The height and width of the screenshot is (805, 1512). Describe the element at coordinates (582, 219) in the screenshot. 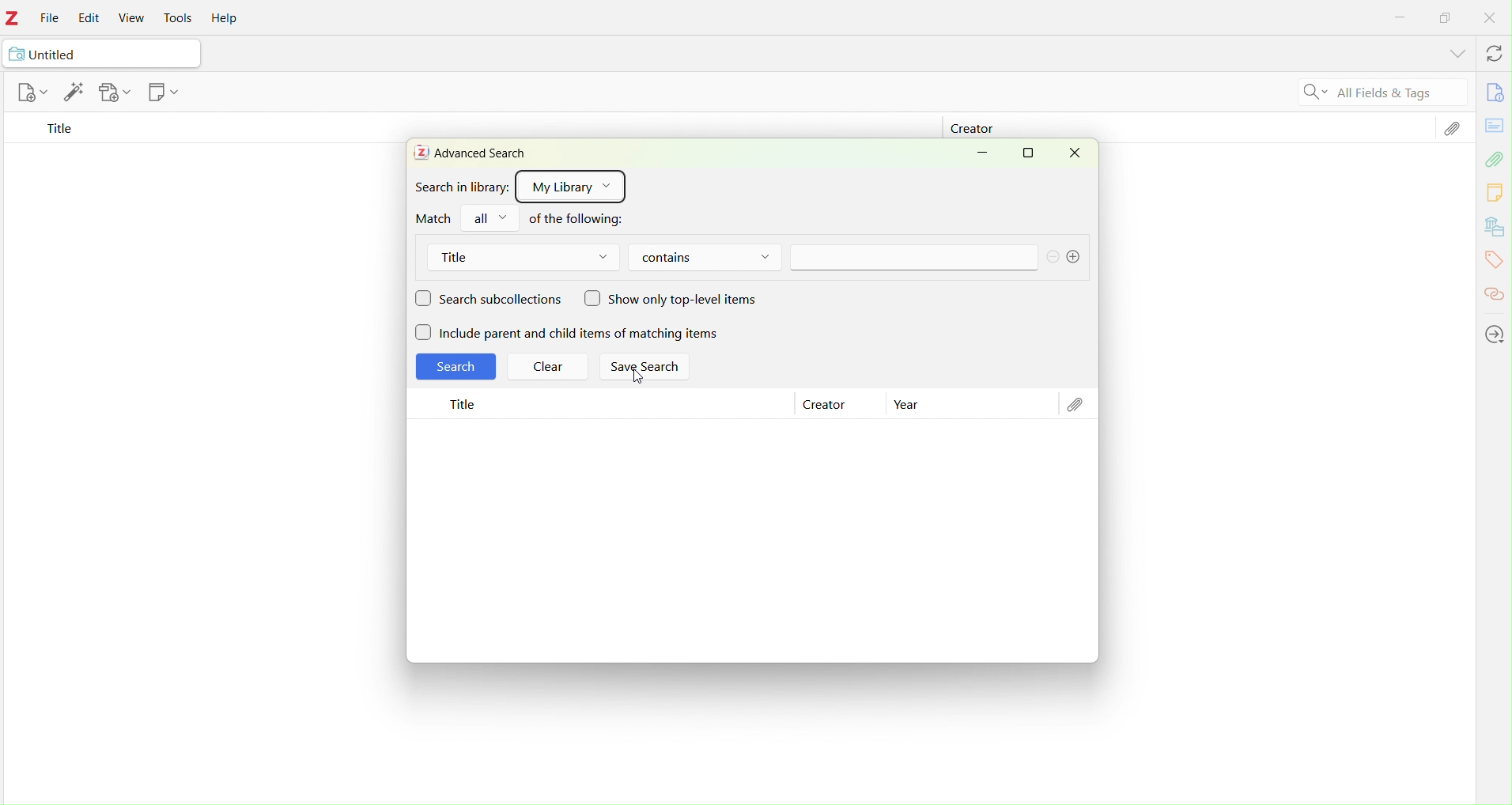

I see `Text` at that location.